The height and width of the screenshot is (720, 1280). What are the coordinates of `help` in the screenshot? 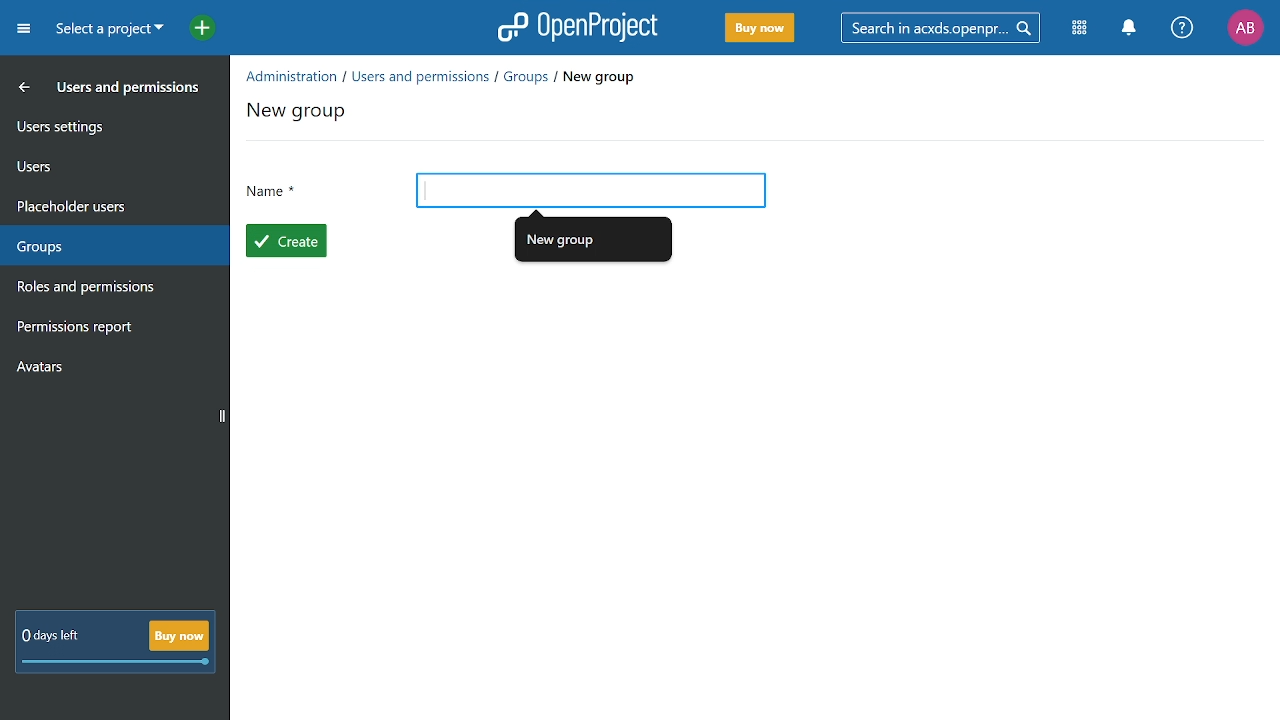 It's located at (1182, 28).